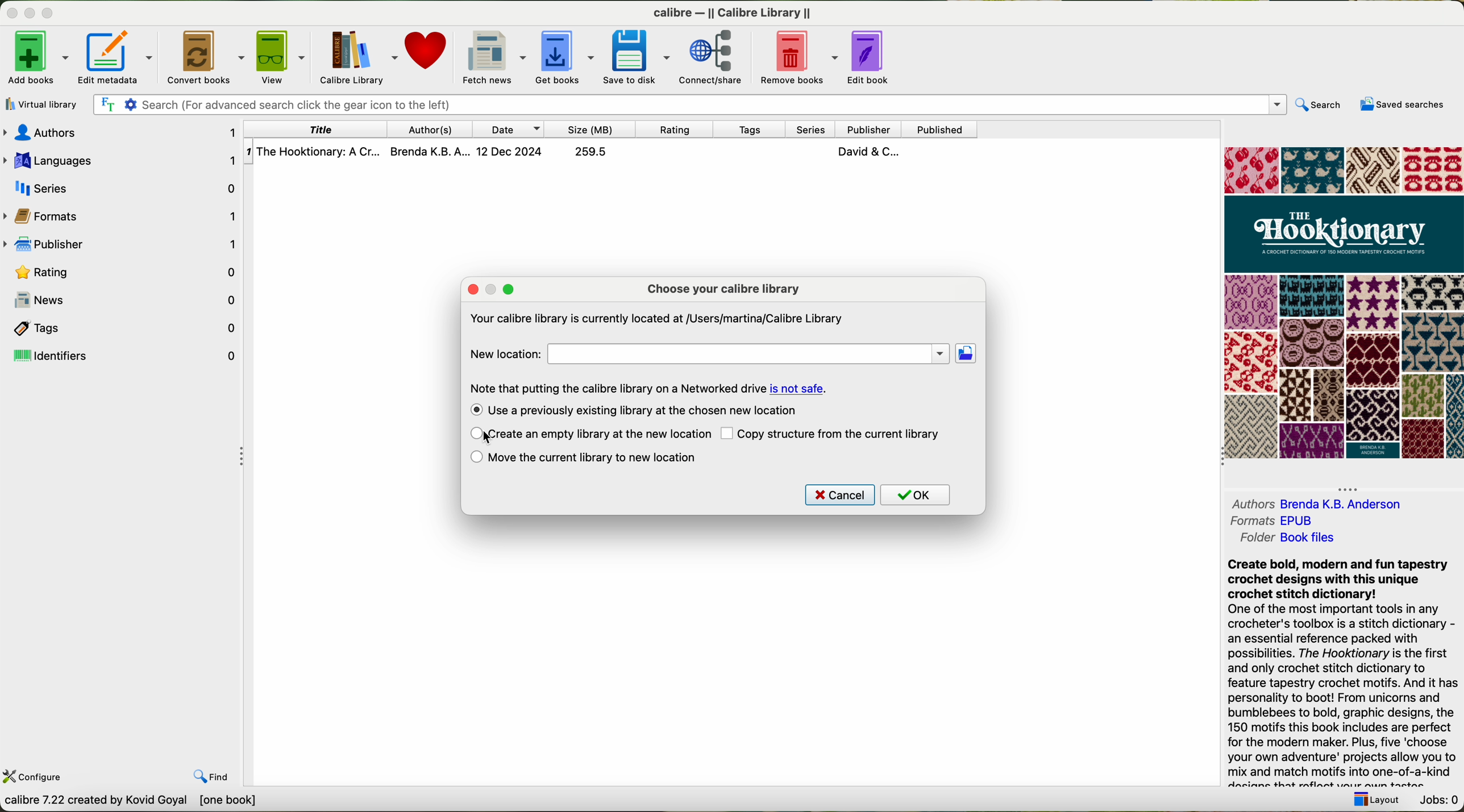 The width and height of the screenshot is (1464, 812). What do you see at coordinates (647, 410) in the screenshot?
I see `use a previously existing library` at bounding box center [647, 410].